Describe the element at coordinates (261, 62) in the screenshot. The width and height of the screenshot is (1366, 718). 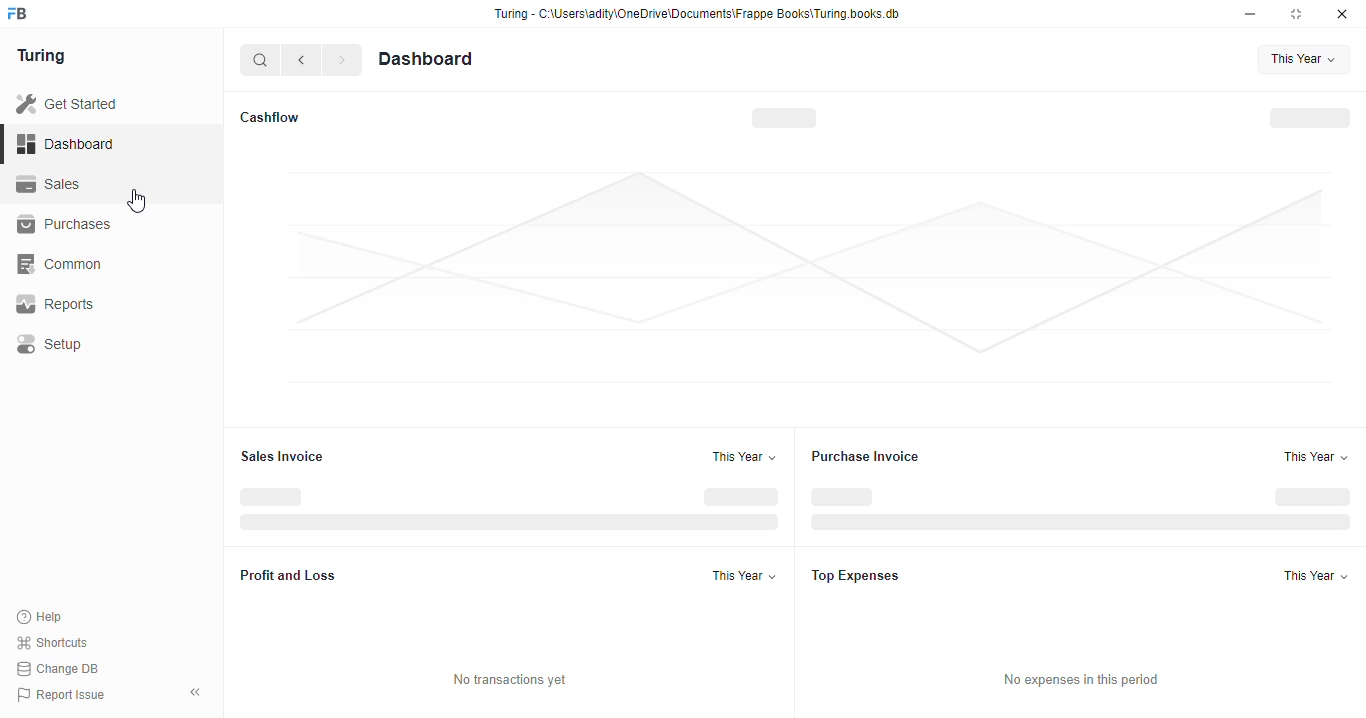
I see `search` at that location.